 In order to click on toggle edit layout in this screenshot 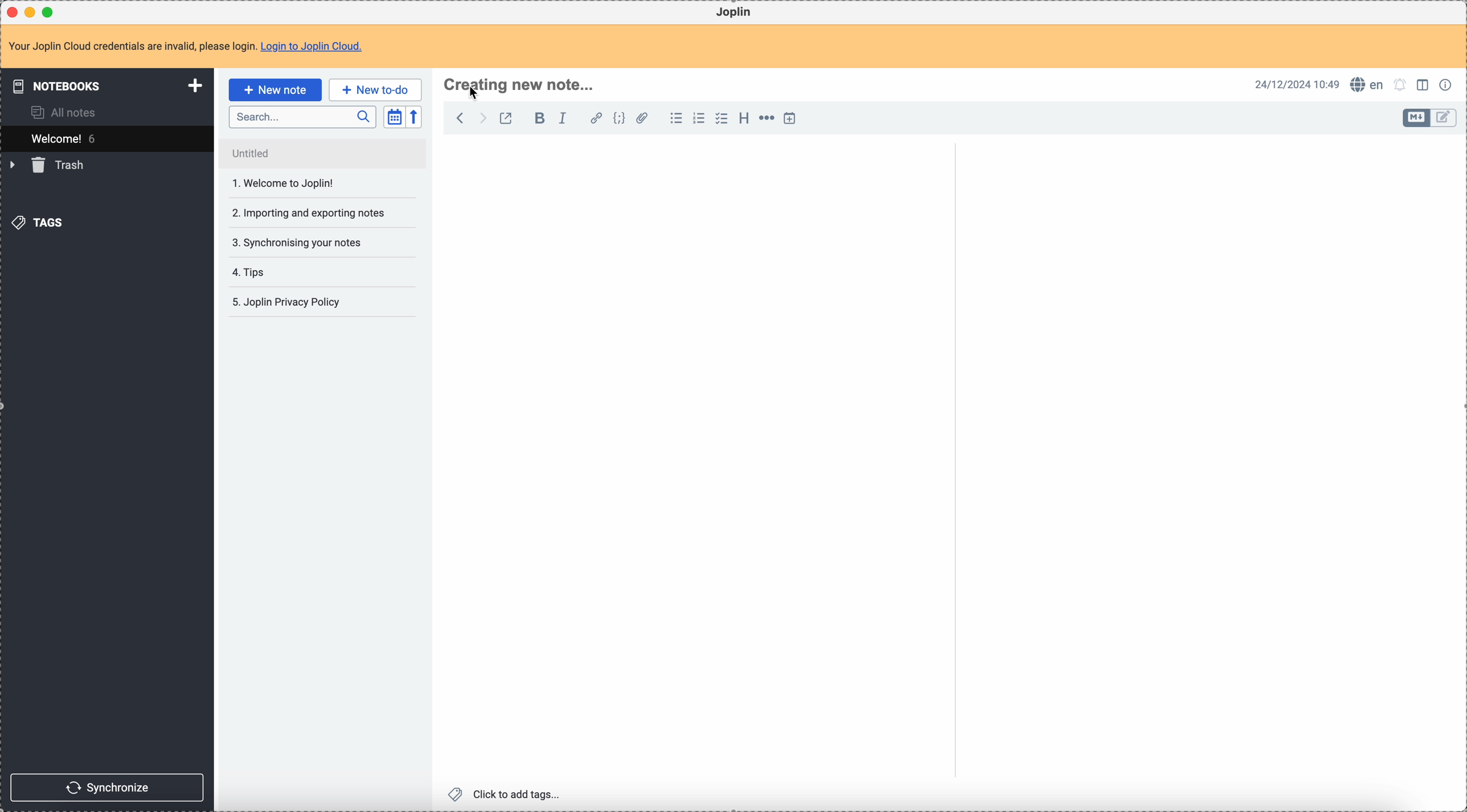, I will do `click(1444, 118)`.